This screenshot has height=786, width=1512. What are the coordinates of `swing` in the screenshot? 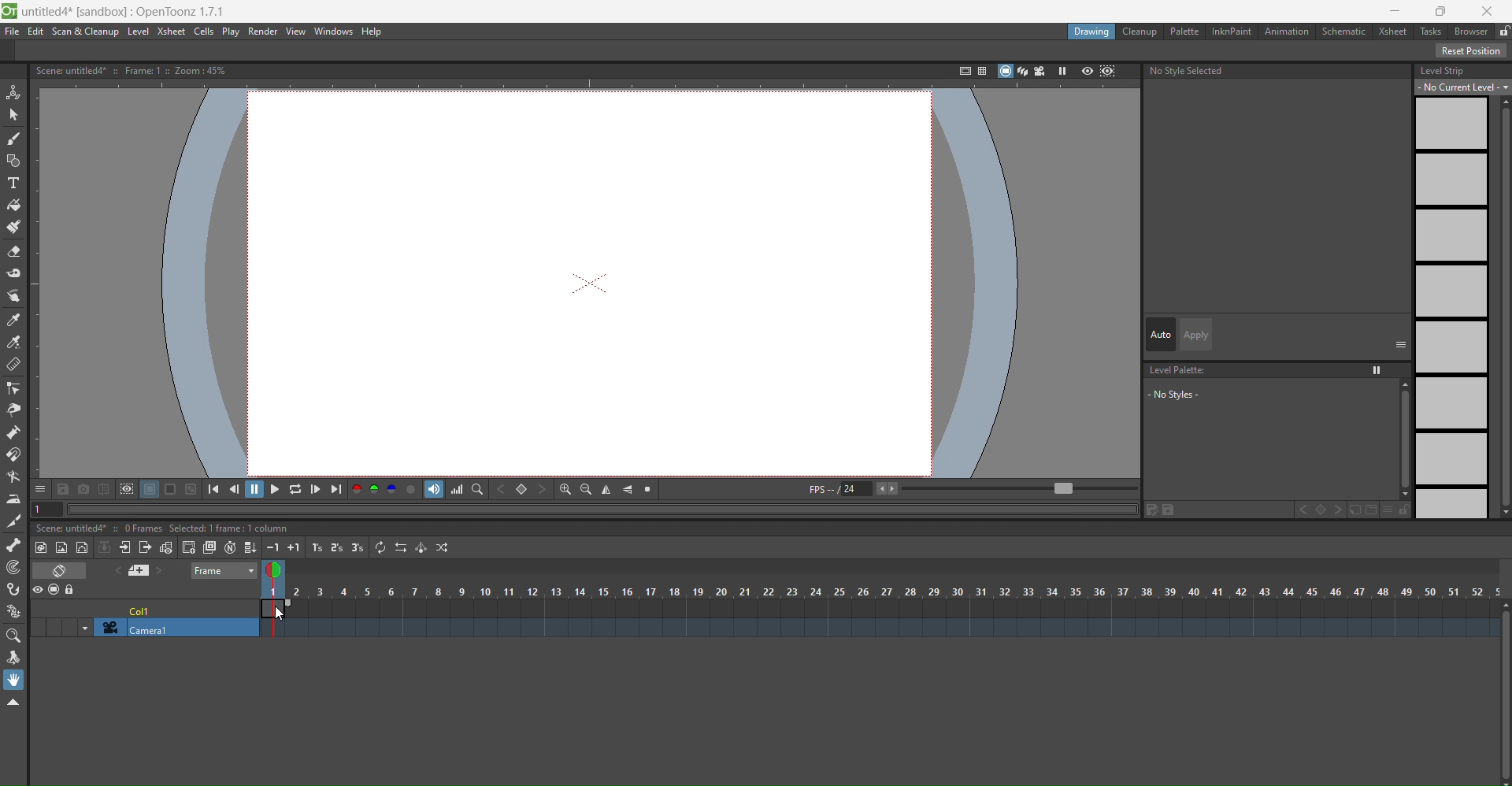 It's located at (421, 547).